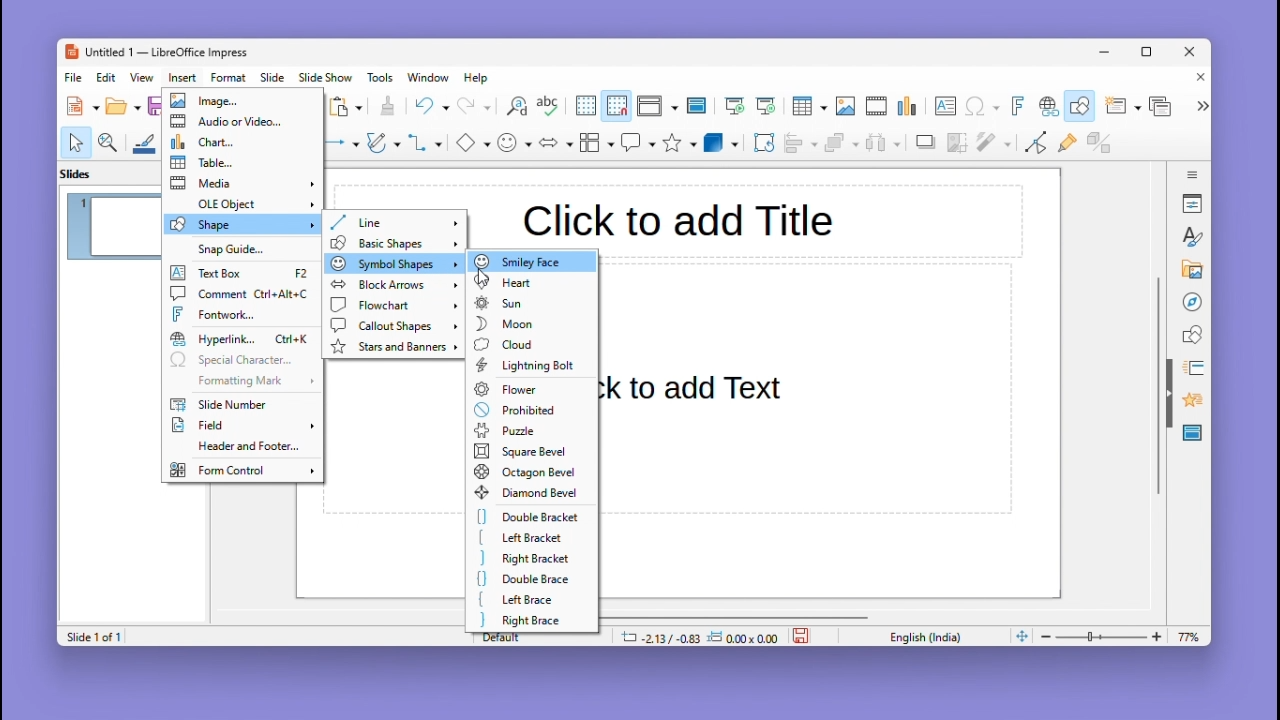 This screenshot has width=1280, height=720. I want to click on Table, so click(809, 107).